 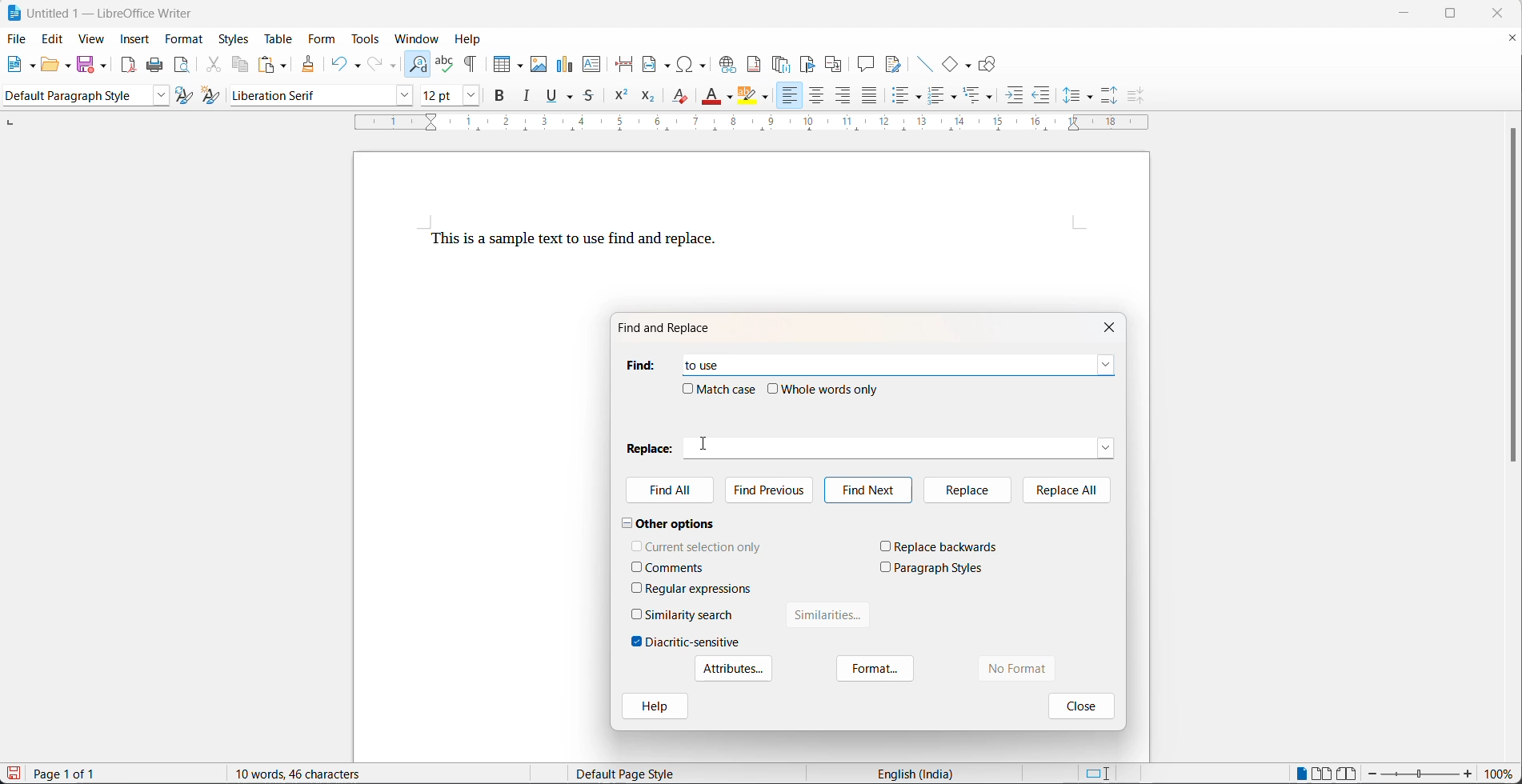 What do you see at coordinates (729, 64) in the screenshot?
I see `insert hyperlink` at bounding box center [729, 64].